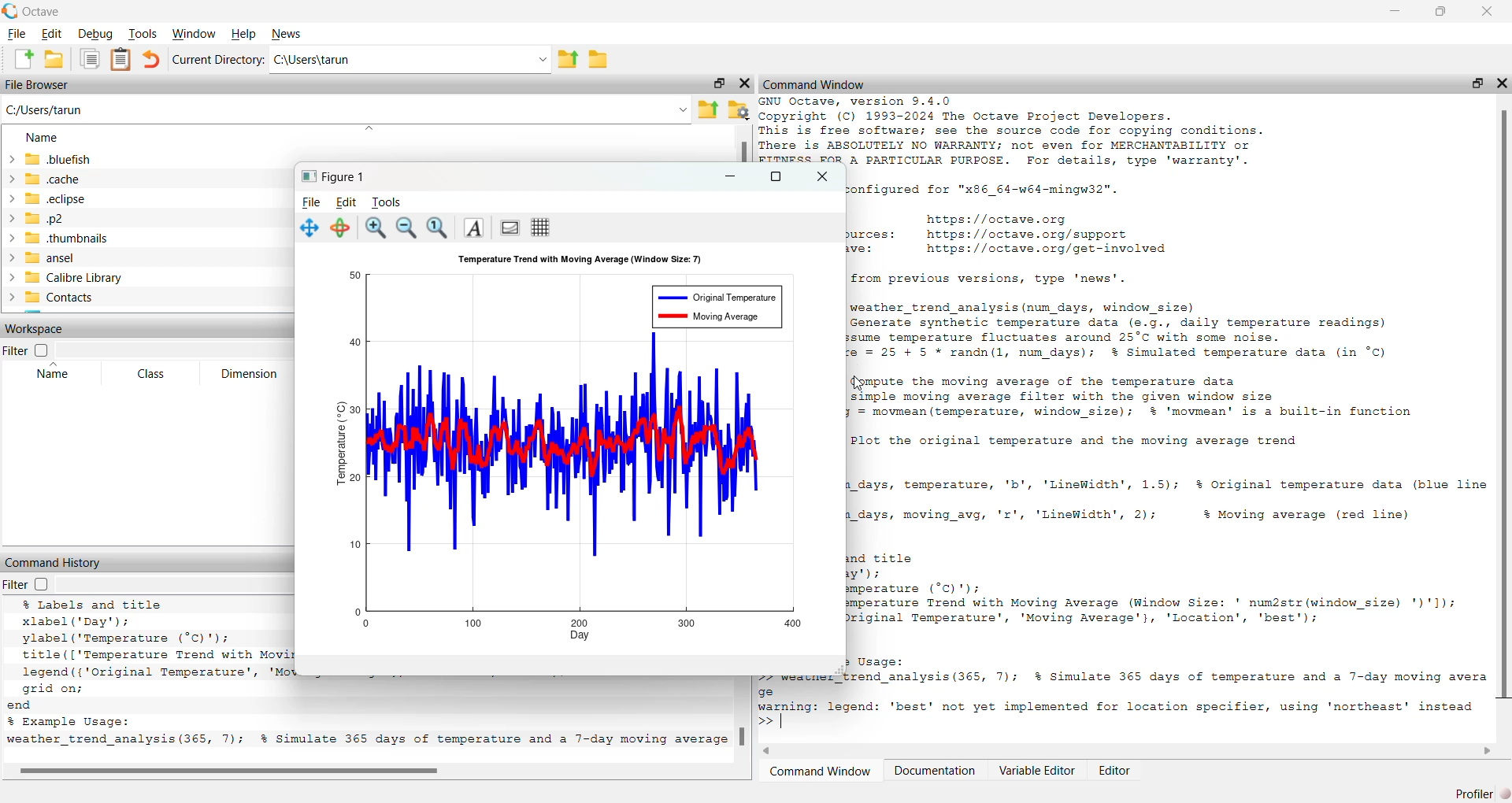 This screenshot has width=1512, height=803. I want to click on minimize, so click(1391, 13).